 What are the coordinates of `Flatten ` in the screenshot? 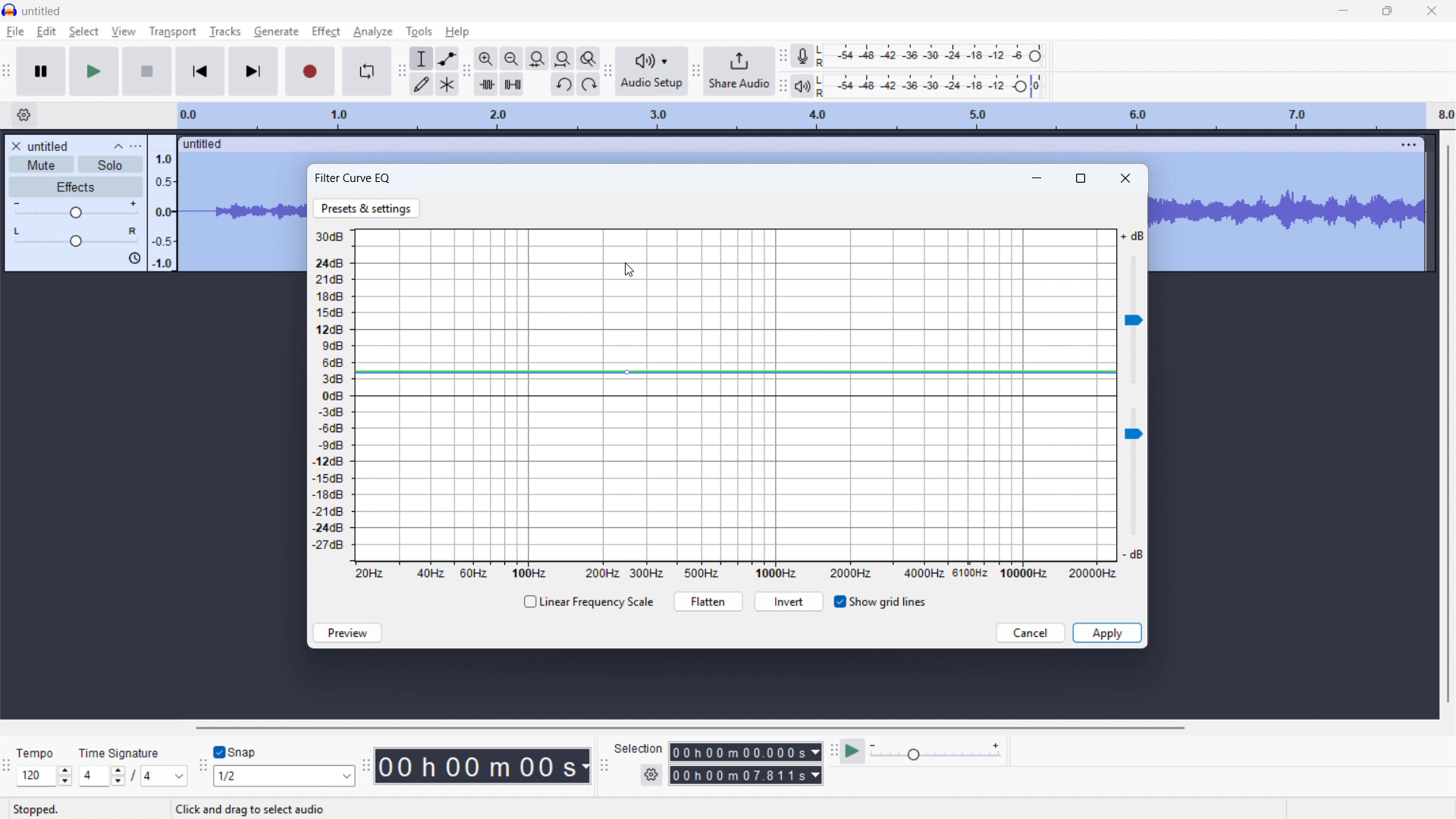 It's located at (709, 601).